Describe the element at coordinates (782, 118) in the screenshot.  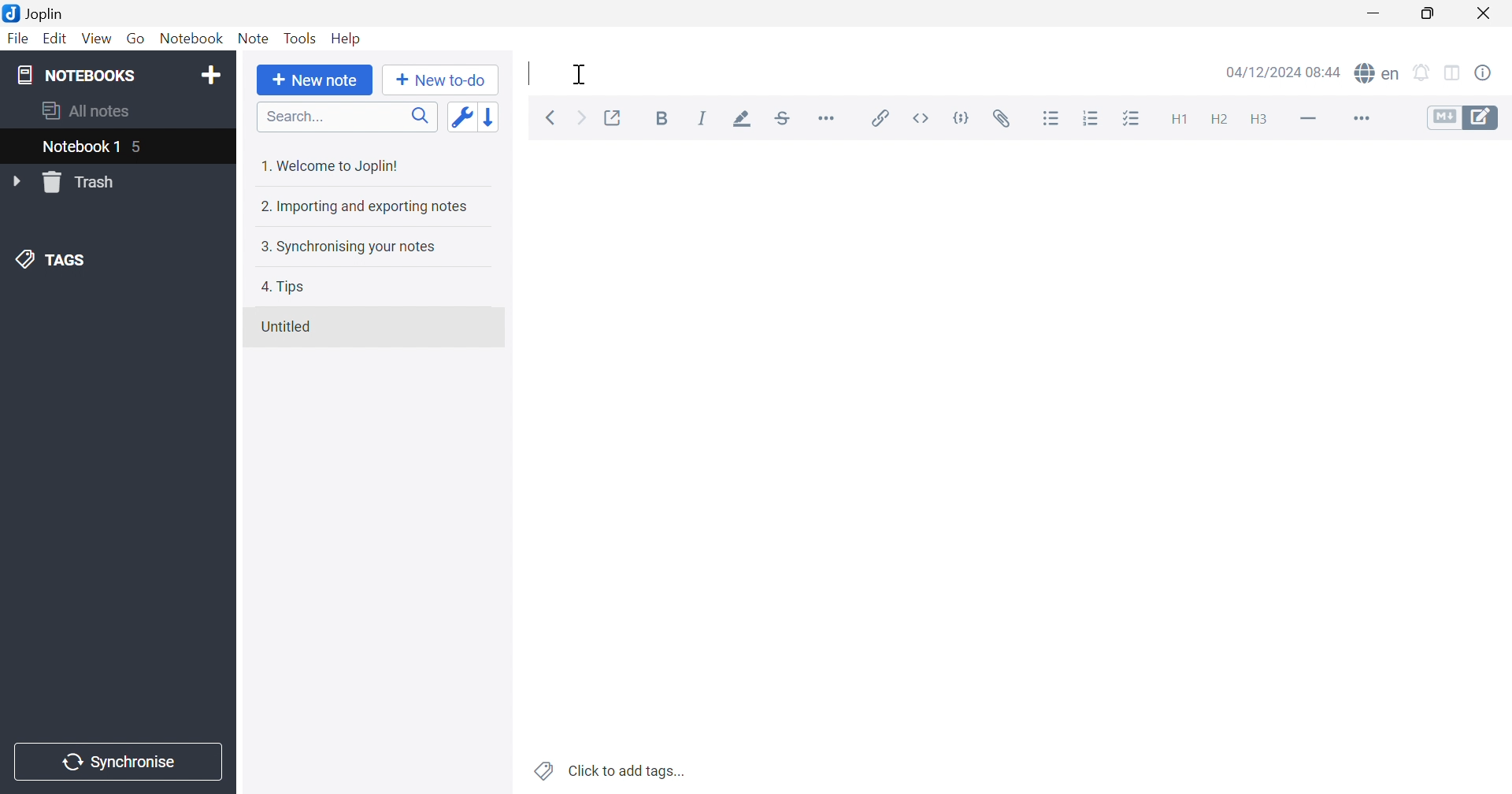
I see `Strikethrough` at that location.